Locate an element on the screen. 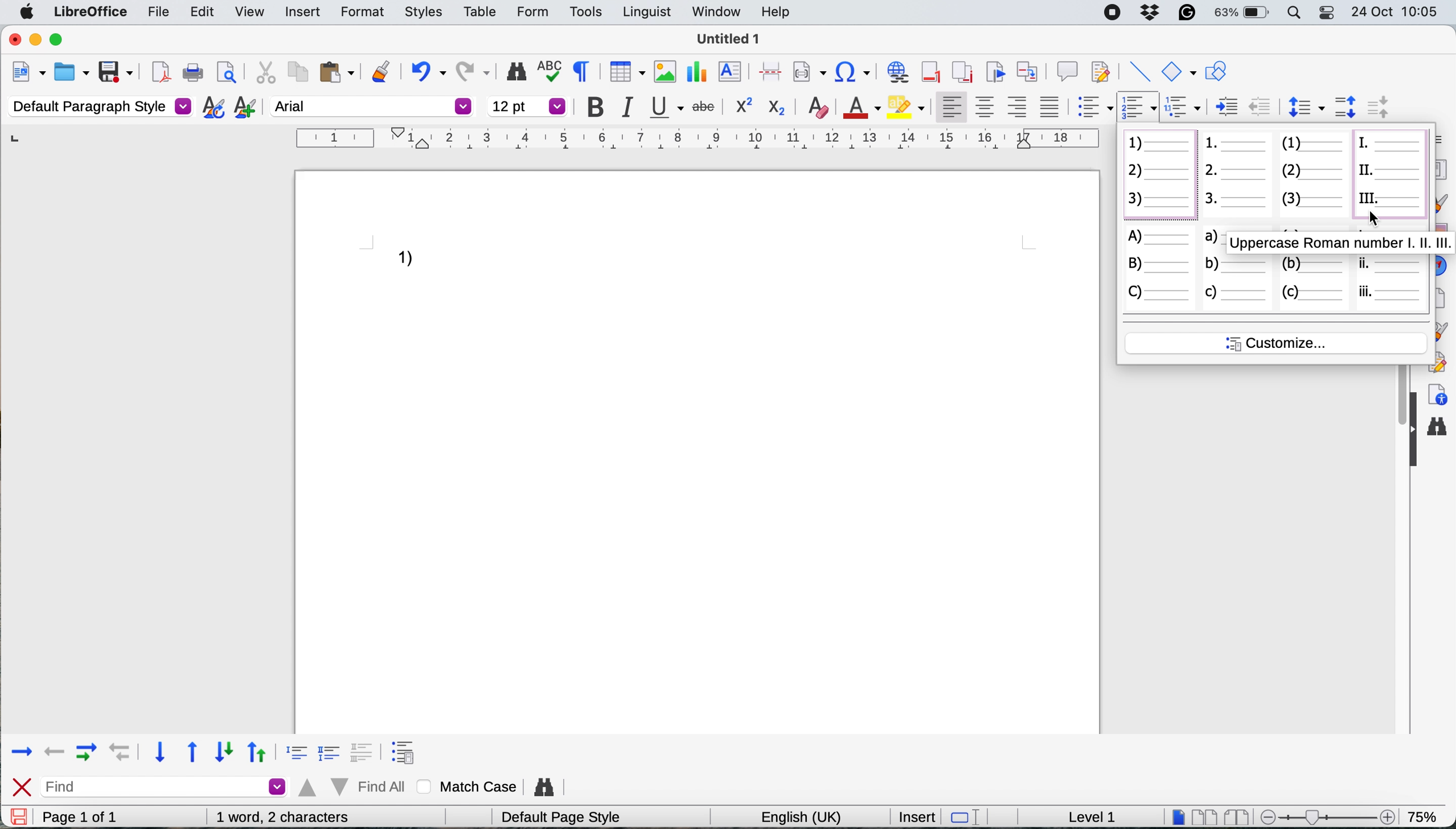 The height and width of the screenshot is (829, 1456). single page view is located at coordinates (1178, 816).